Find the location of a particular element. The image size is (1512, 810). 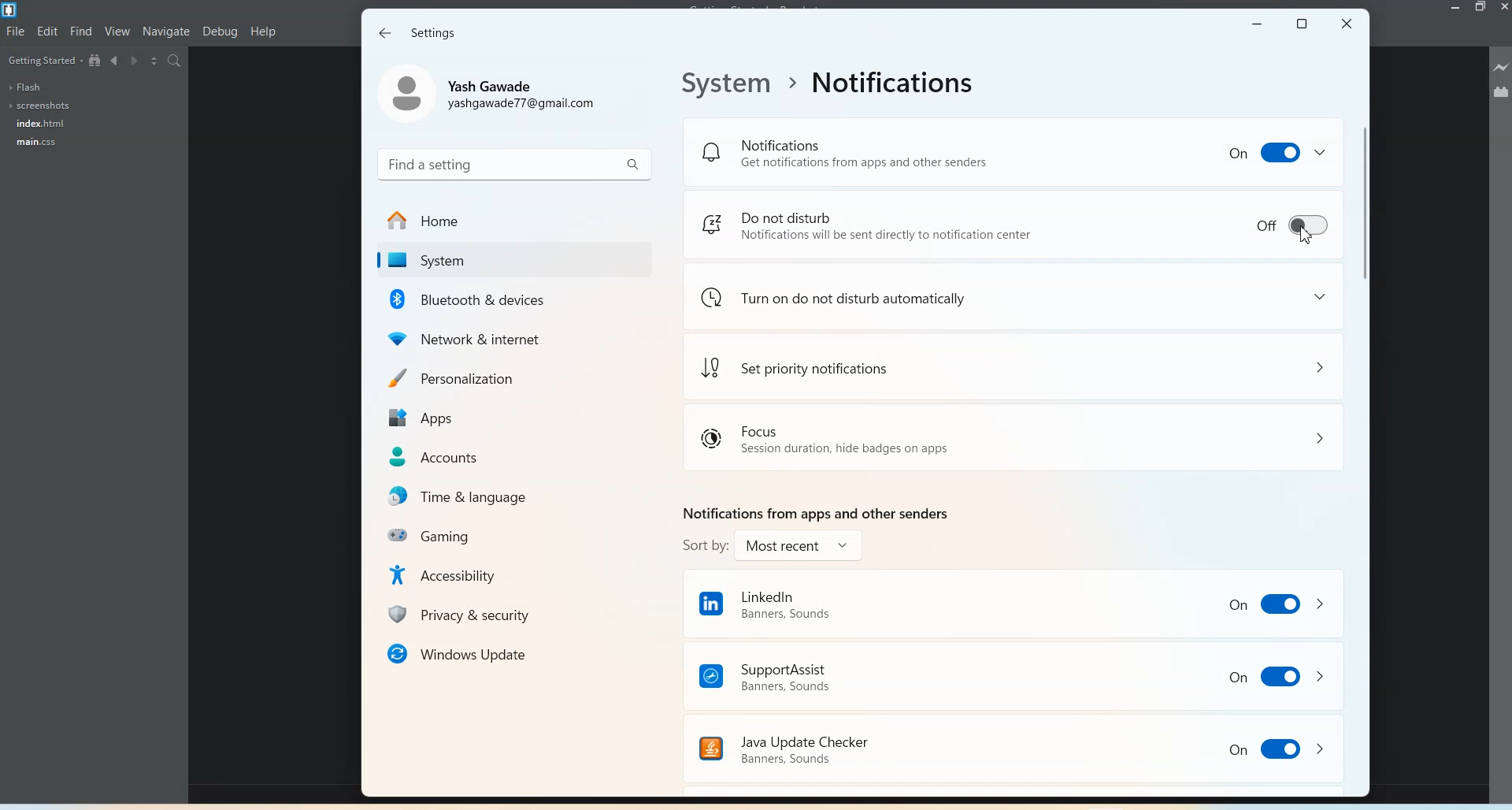

Back is located at coordinates (385, 32).